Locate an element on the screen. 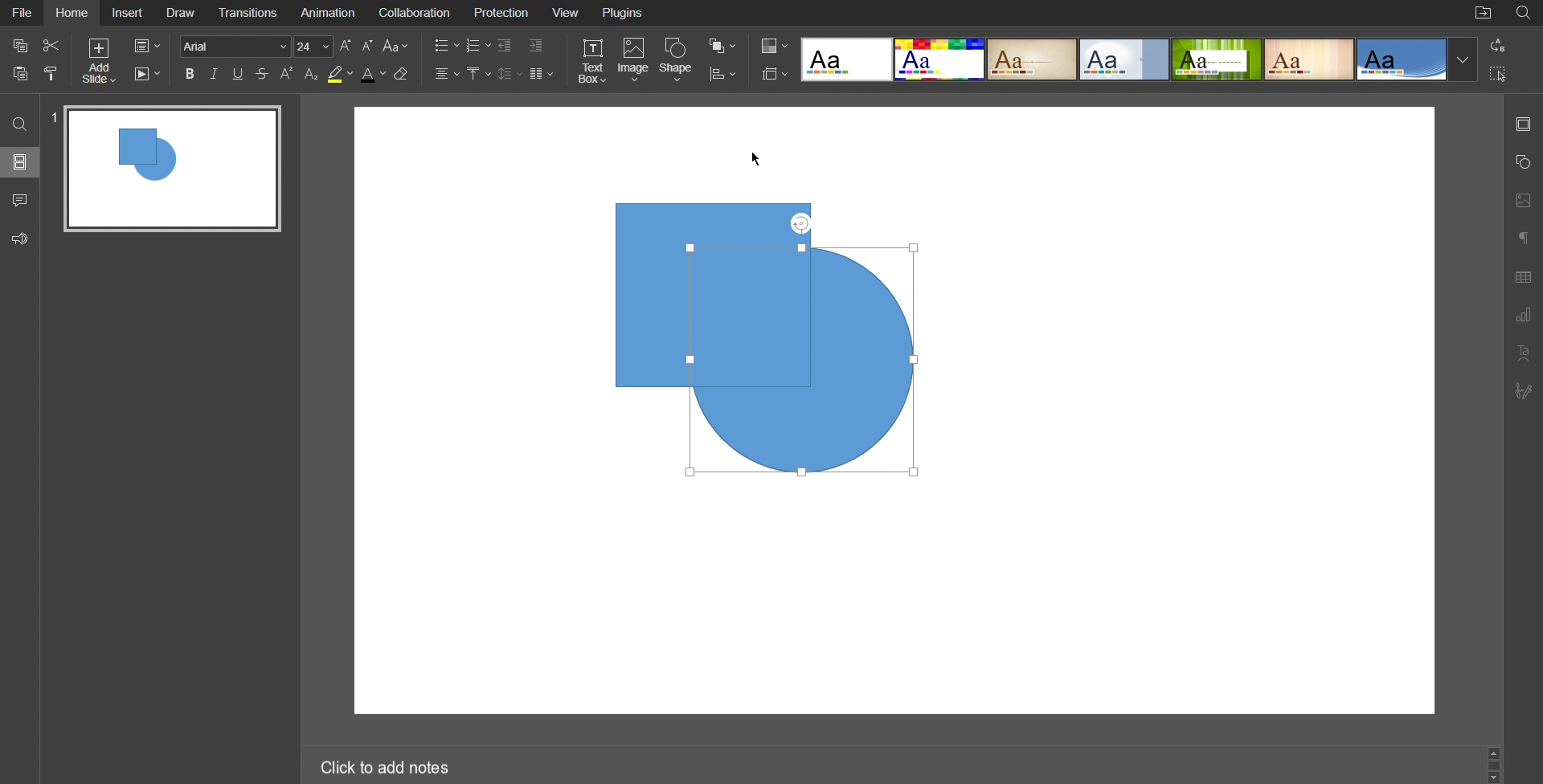 The height and width of the screenshot is (784, 1543). Selection is located at coordinates (1498, 74).